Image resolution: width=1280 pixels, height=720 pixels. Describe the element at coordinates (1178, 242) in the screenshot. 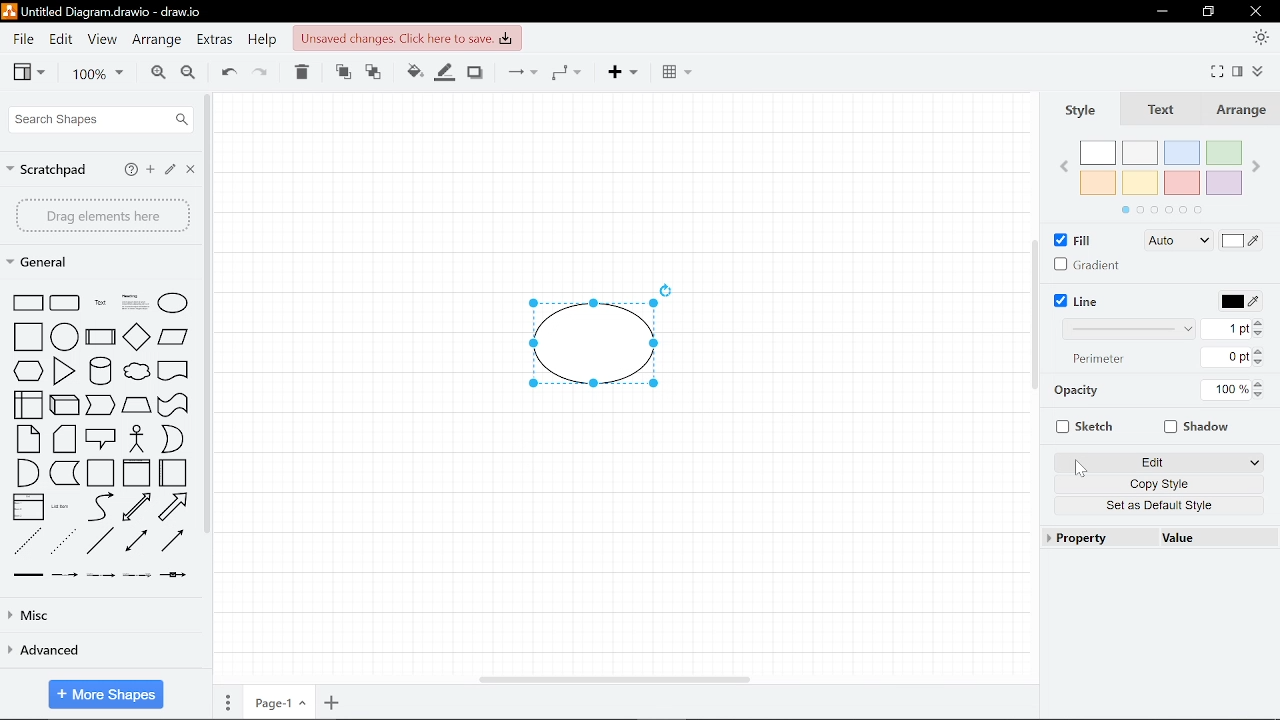

I see `Fill settings` at that location.